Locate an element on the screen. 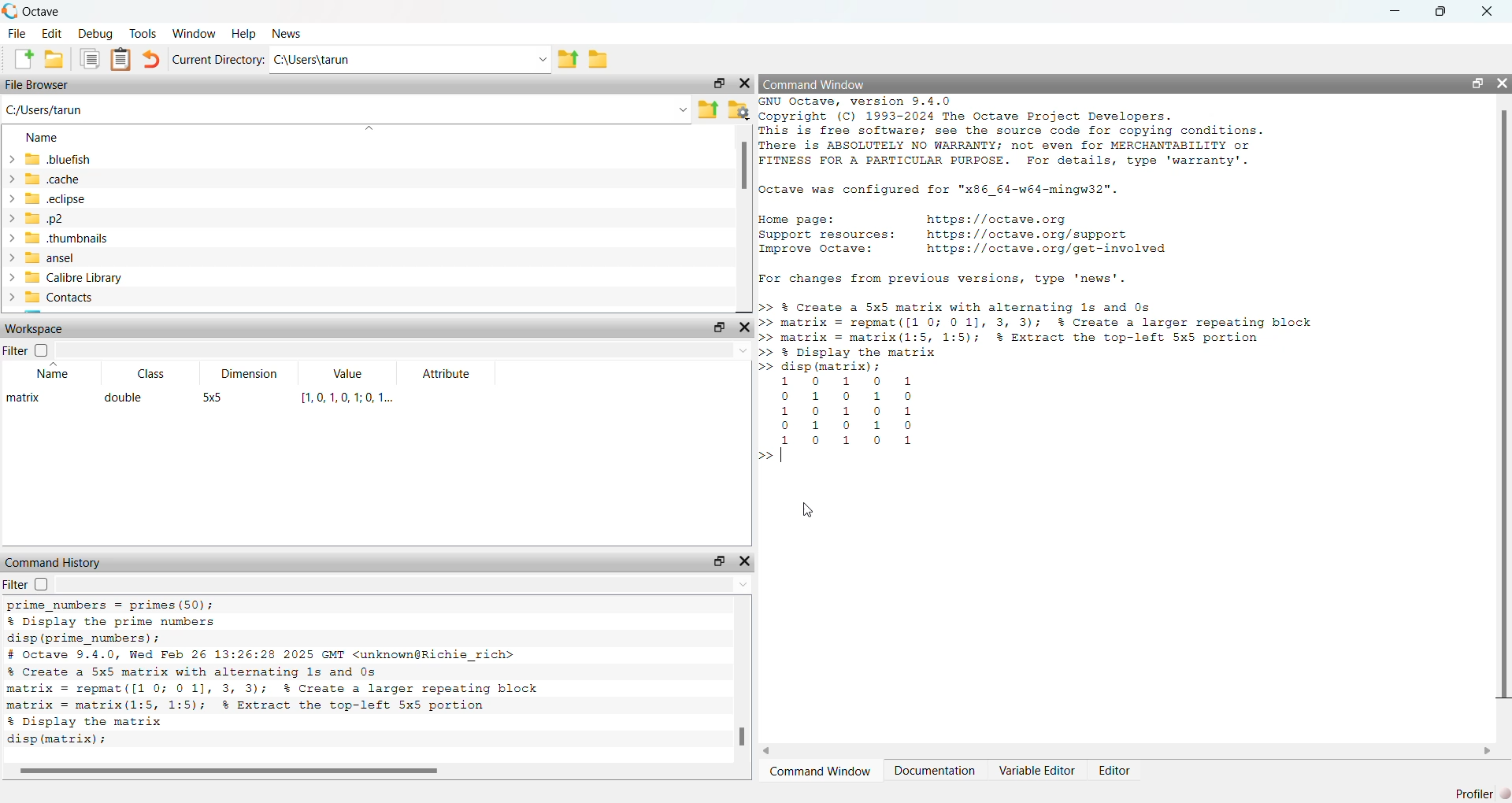 This screenshot has height=803, width=1512. Debug is located at coordinates (96, 34).